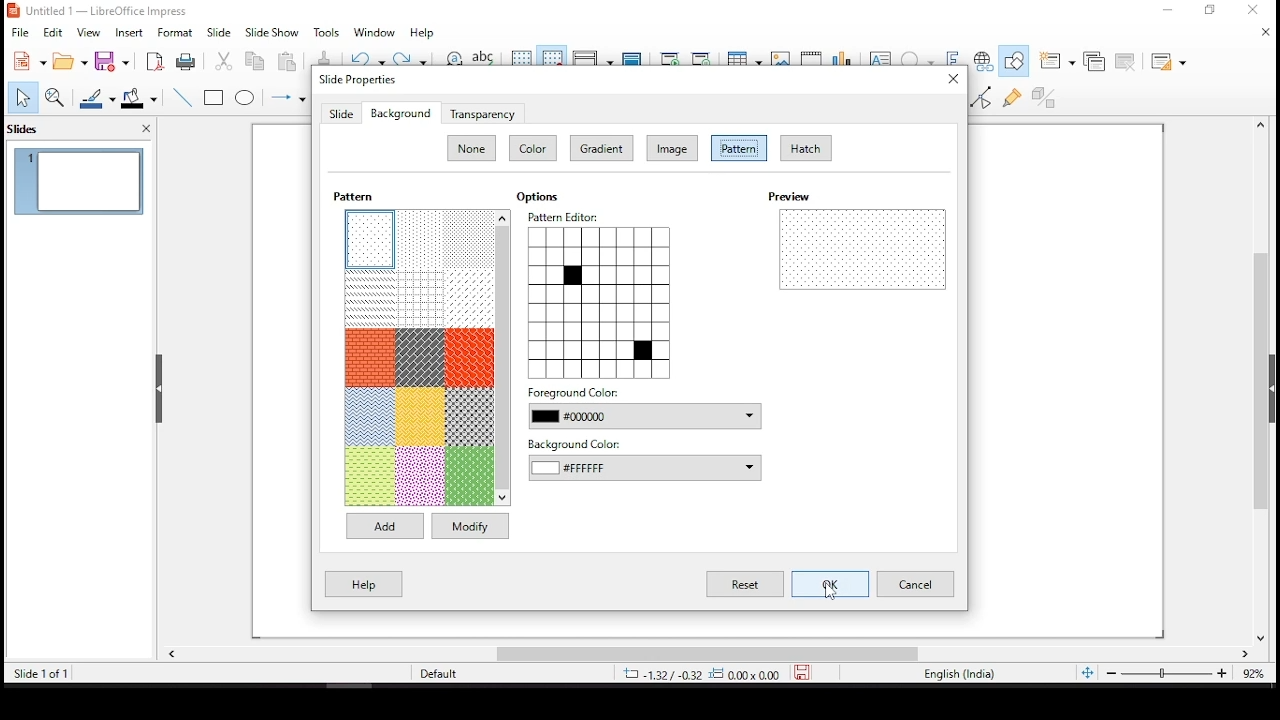 The width and height of the screenshot is (1280, 720). What do you see at coordinates (22, 98) in the screenshot?
I see `select tool` at bounding box center [22, 98].